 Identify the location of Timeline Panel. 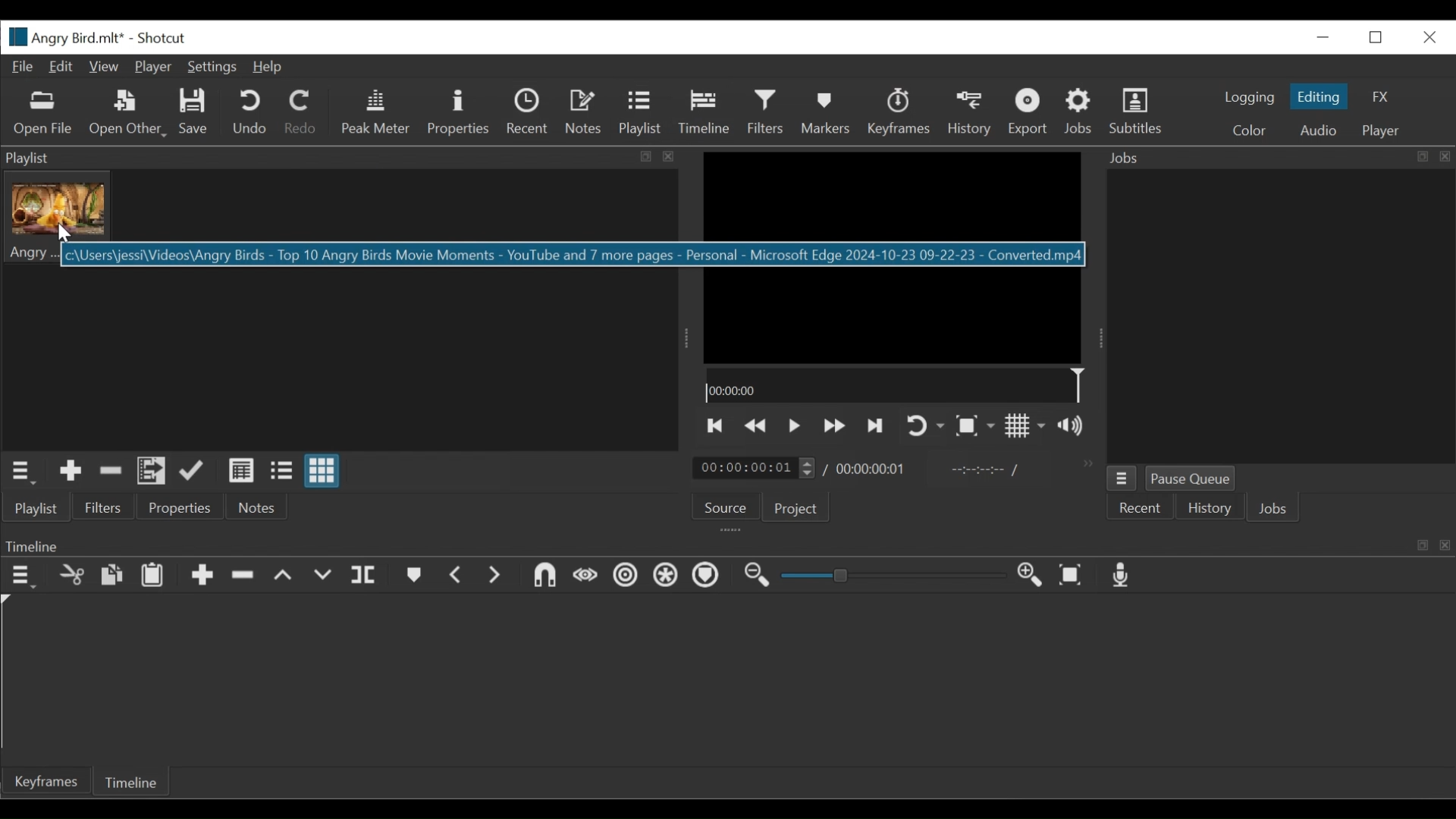
(723, 544).